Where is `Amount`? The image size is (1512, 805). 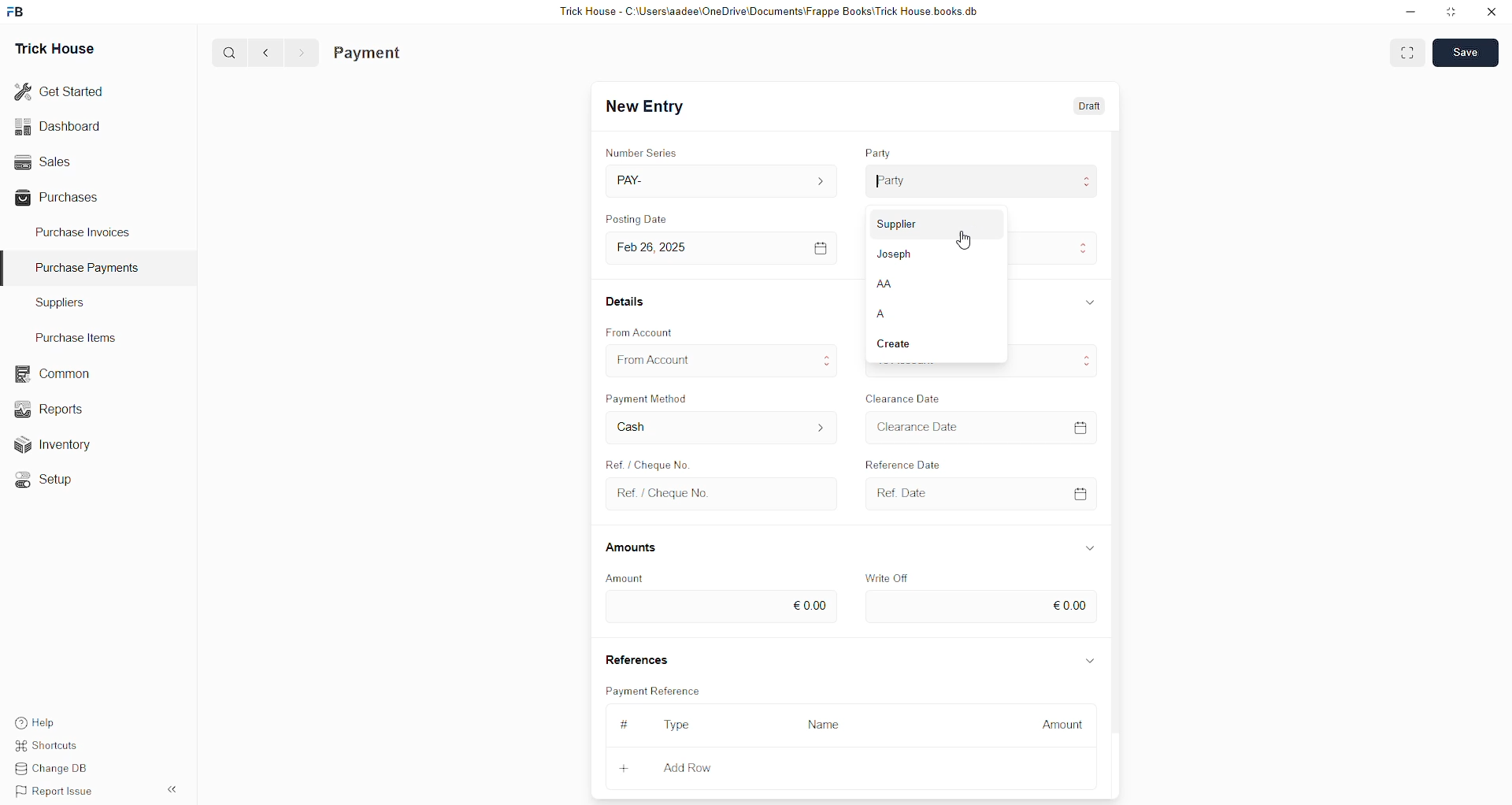 Amount is located at coordinates (1063, 725).